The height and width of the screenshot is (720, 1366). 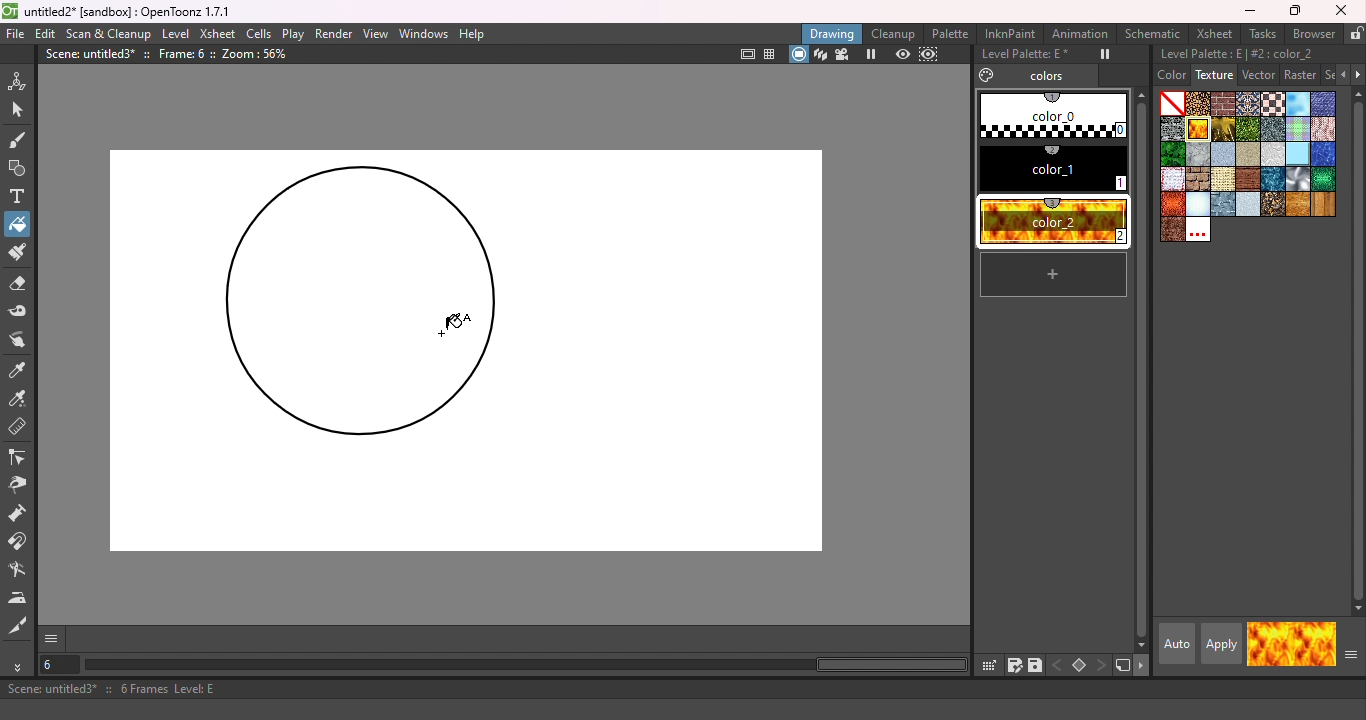 What do you see at coordinates (1213, 74) in the screenshot?
I see `Texture` at bounding box center [1213, 74].